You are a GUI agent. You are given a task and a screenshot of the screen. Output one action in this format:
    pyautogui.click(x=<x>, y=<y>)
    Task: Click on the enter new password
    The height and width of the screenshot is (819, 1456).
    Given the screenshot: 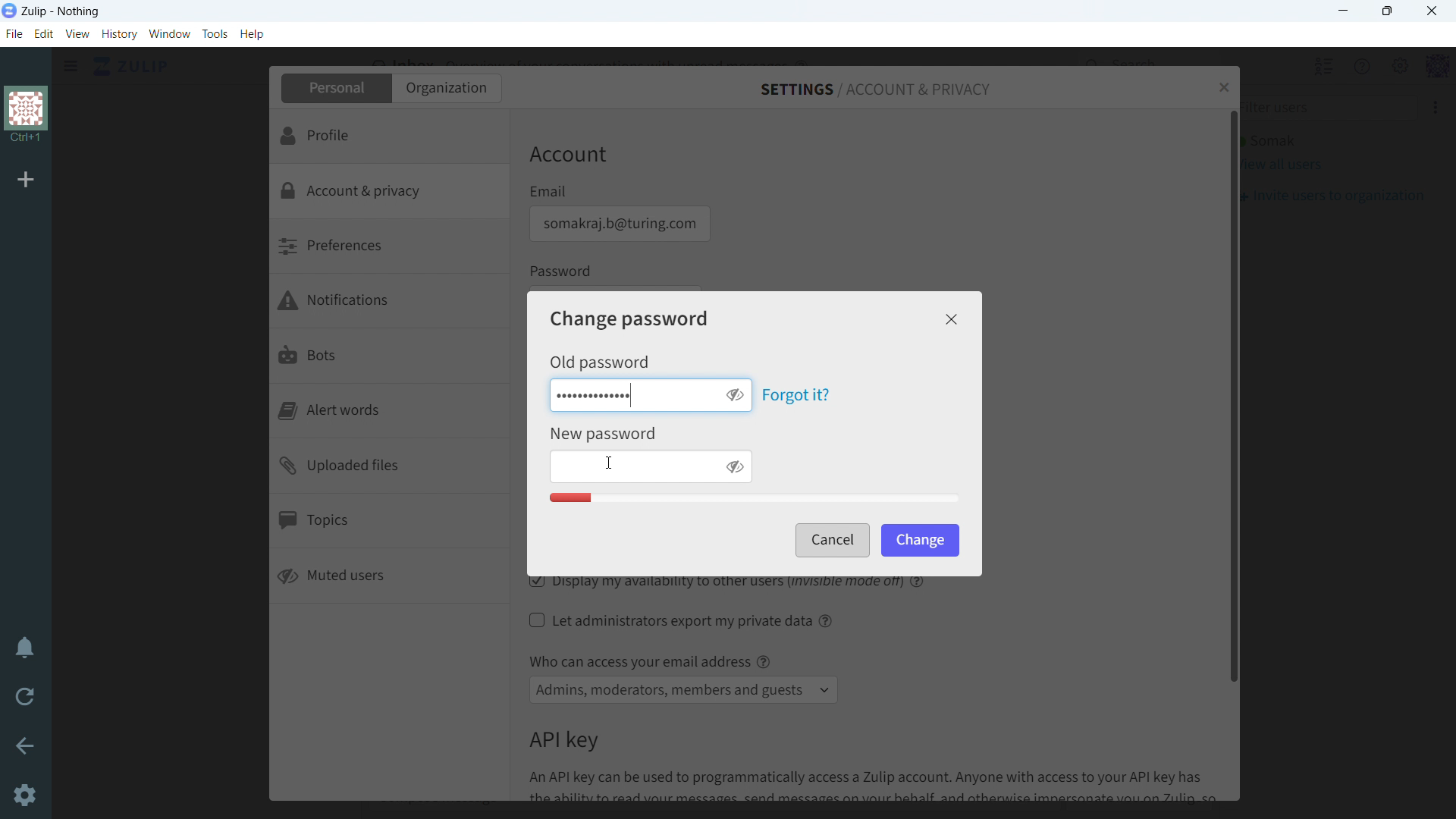 What is the action you would take?
    pyautogui.click(x=631, y=467)
    